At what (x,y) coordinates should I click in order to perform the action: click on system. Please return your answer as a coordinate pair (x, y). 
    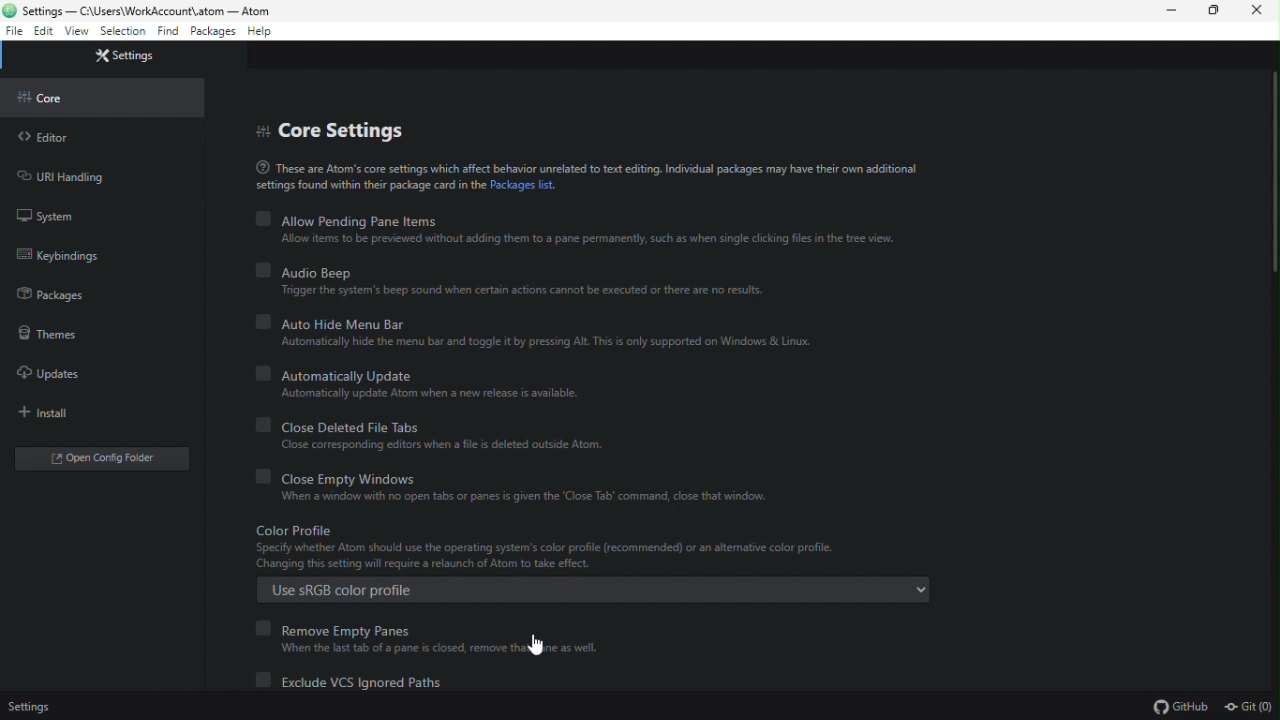
    Looking at the image, I should click on (56, 218).